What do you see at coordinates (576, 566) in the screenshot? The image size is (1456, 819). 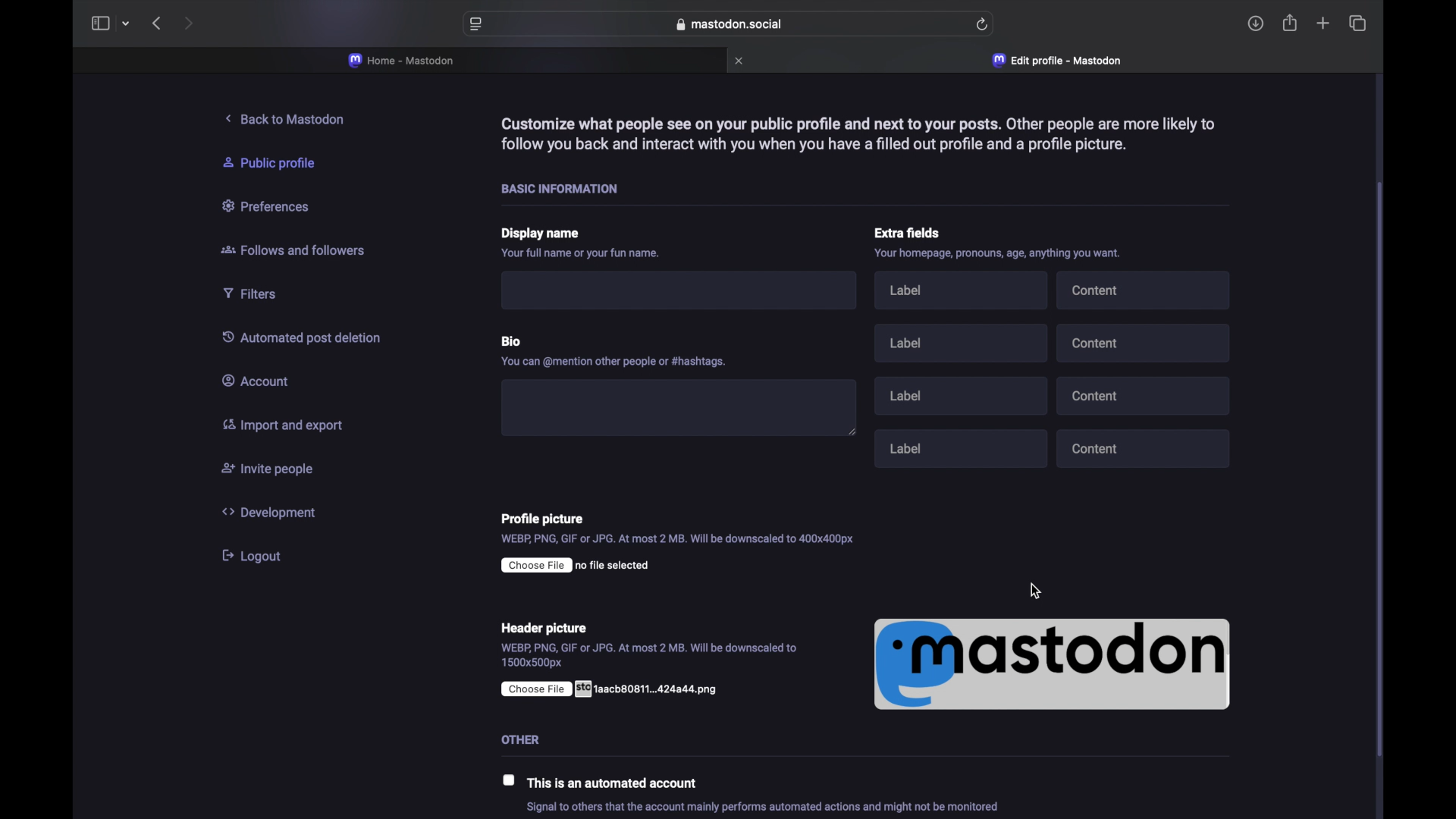 I see `no file selected` at bounding box center [576, 566].